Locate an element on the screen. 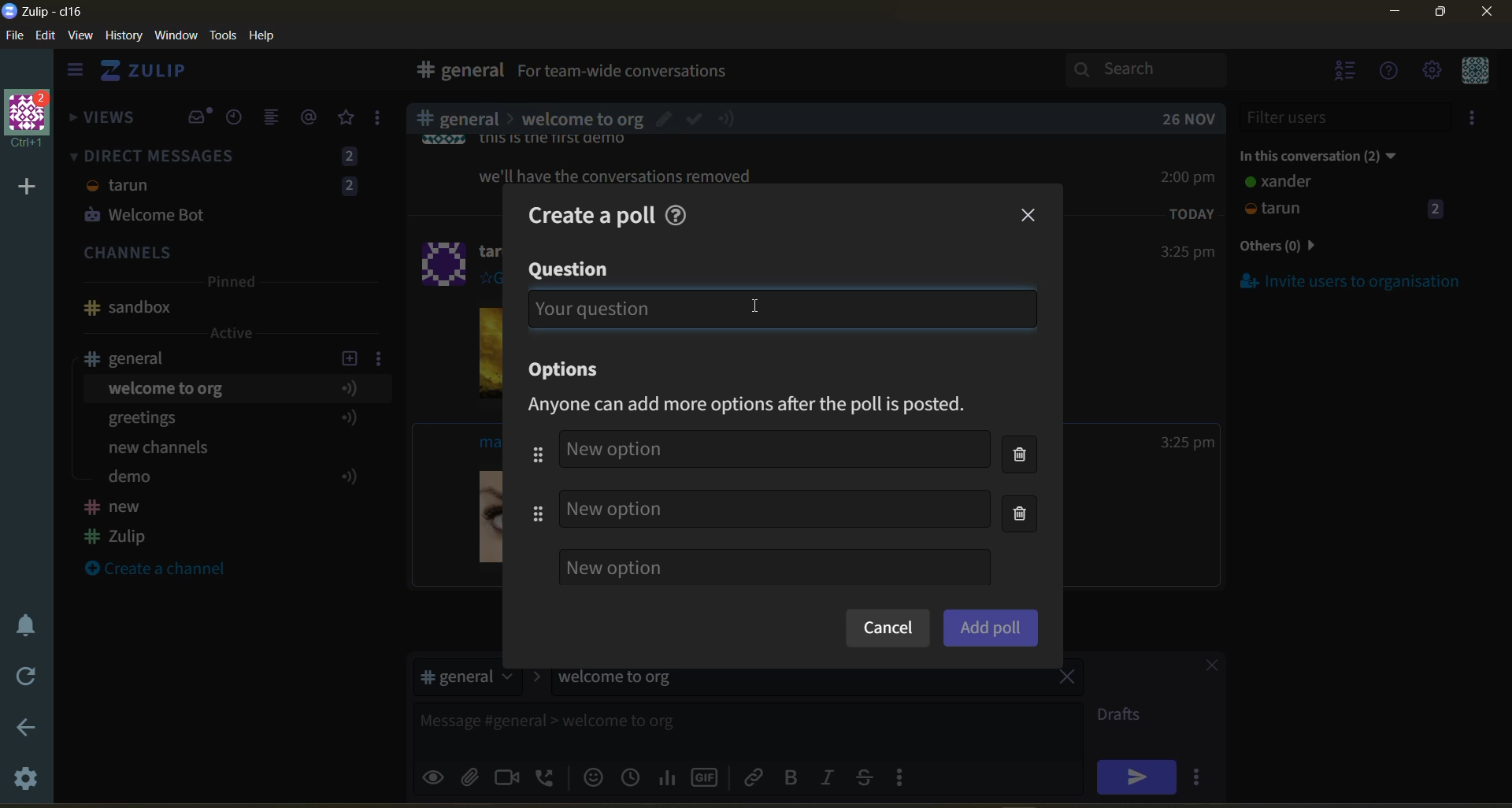  Scroll bar is located at coordinates (1503, 421).